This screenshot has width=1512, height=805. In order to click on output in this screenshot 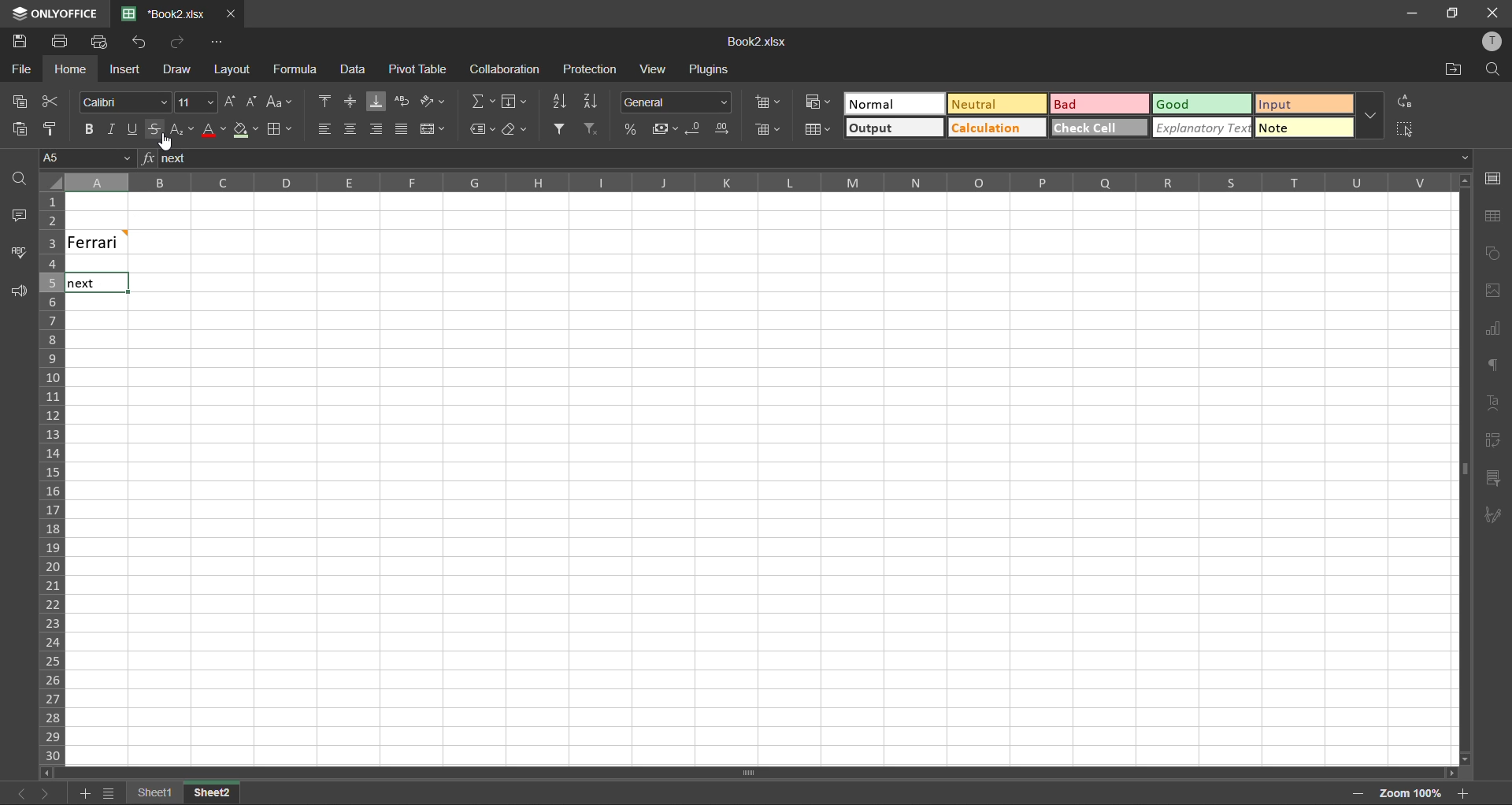, I will do `click(894, 128)`.